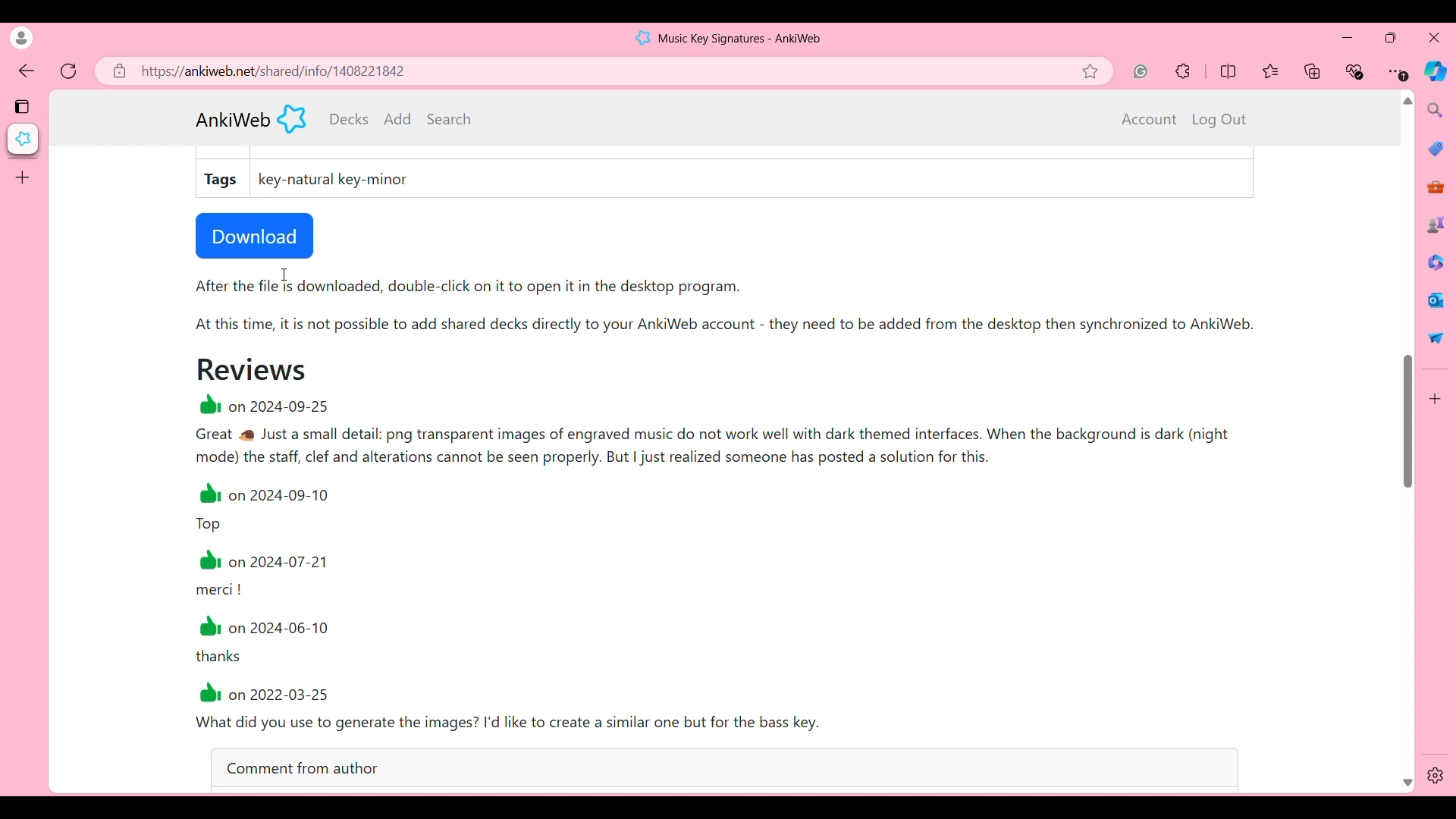 This screenshot has width=1456, height=819. I want to click on Add tab, so click(22, 177).